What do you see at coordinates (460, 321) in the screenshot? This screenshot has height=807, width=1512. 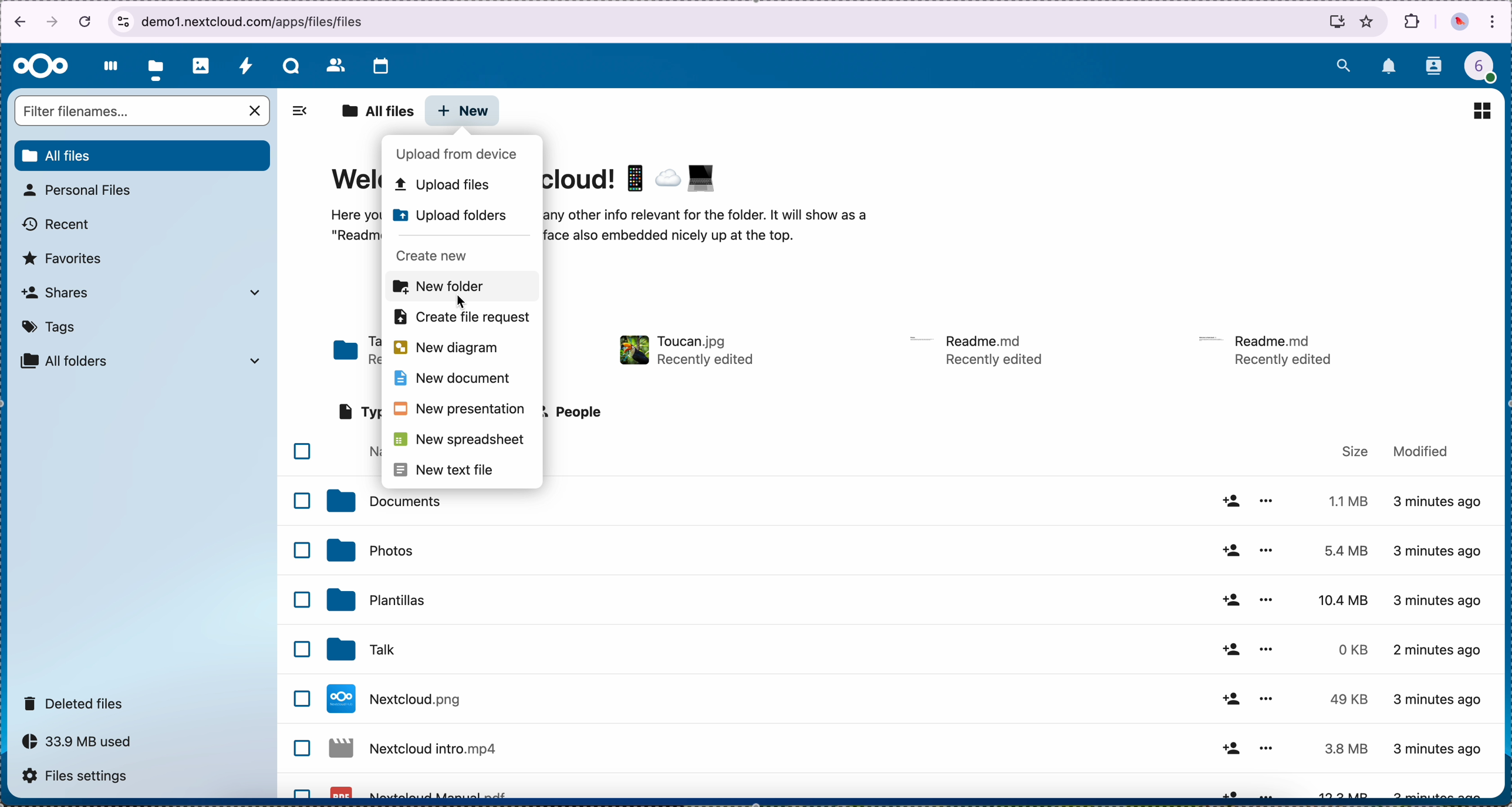 I see `create file request` at bounding box center [460, 321].